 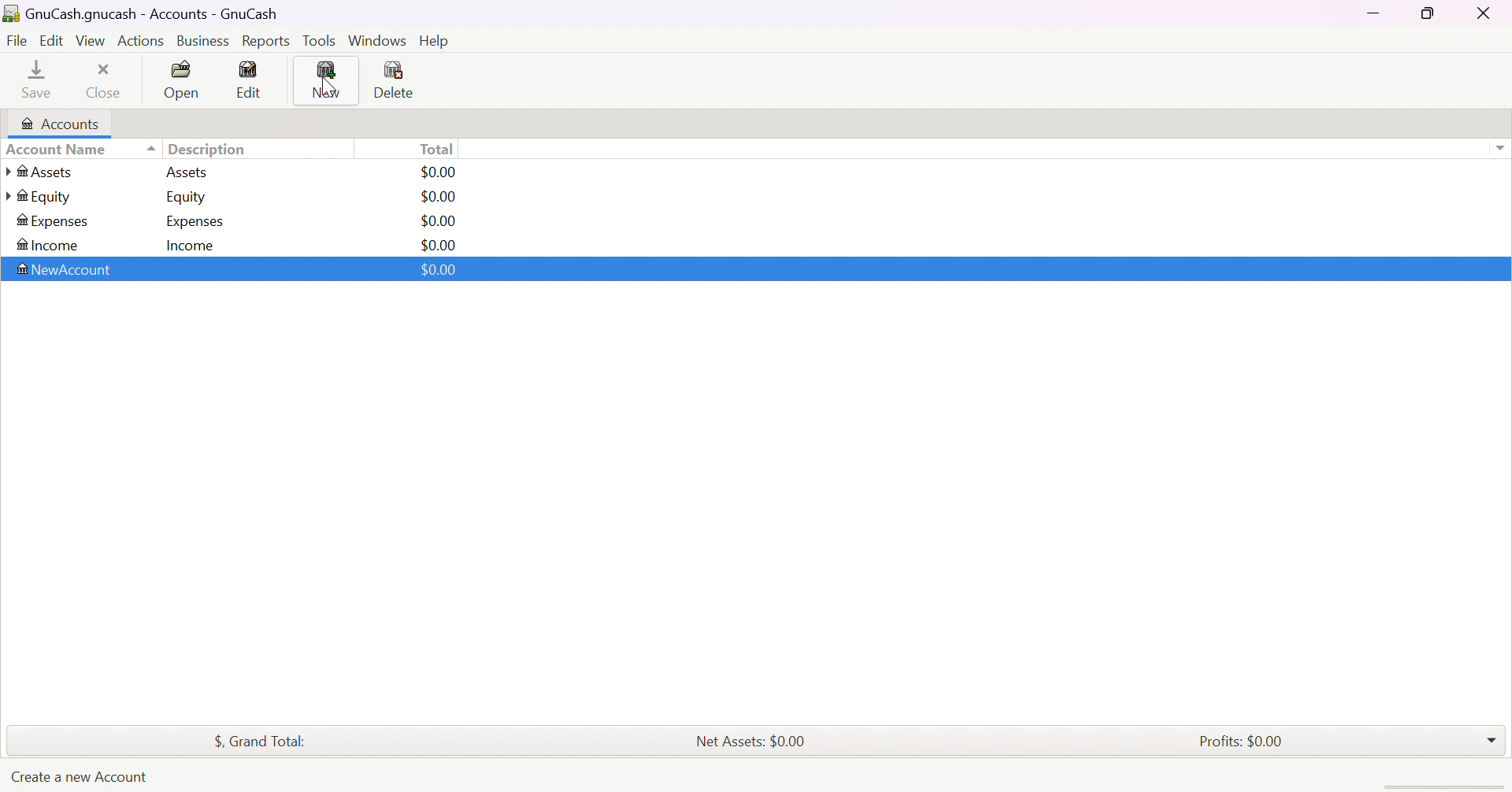 I want to click on Equity, so click(x=188, y=195).